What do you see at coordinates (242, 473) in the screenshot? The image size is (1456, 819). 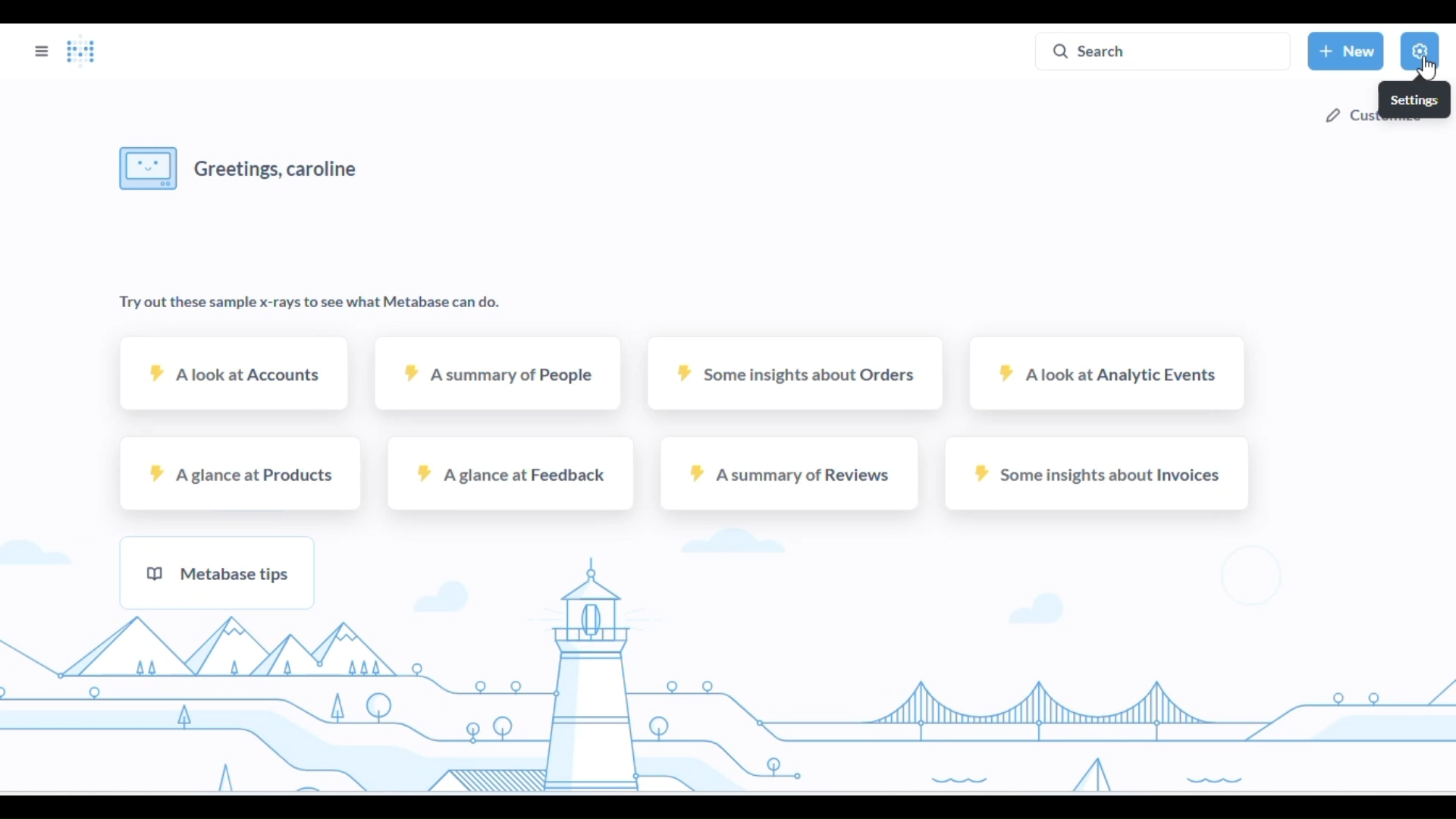 I see `a glance at products` at bounding box center [242, 473].